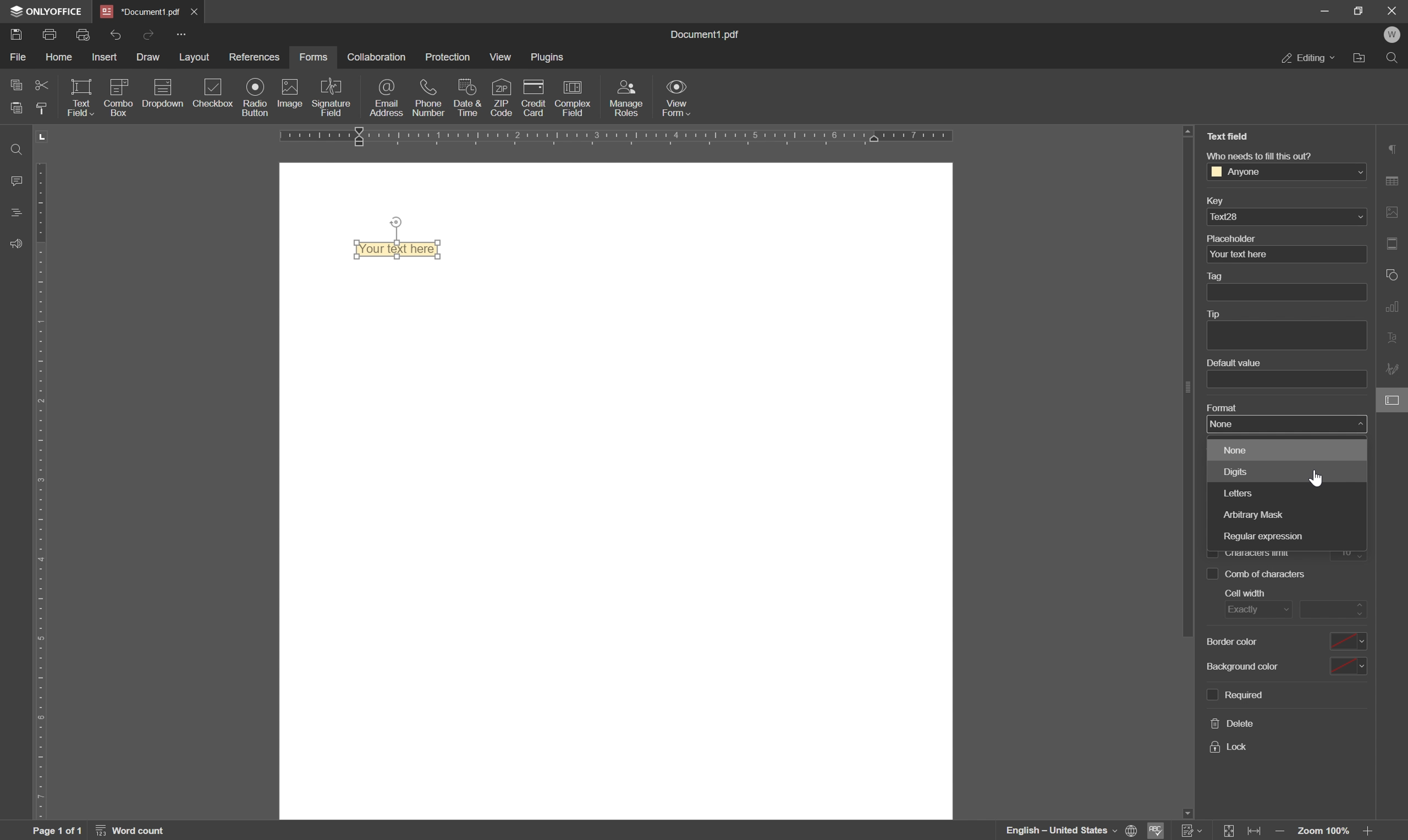 Image resolution: width=1408 pixels, height=840 pixels. What do you see at coordinates (1188, 131) in the screenshot?
I see `scroll up` at bounding box center [1188, 131].